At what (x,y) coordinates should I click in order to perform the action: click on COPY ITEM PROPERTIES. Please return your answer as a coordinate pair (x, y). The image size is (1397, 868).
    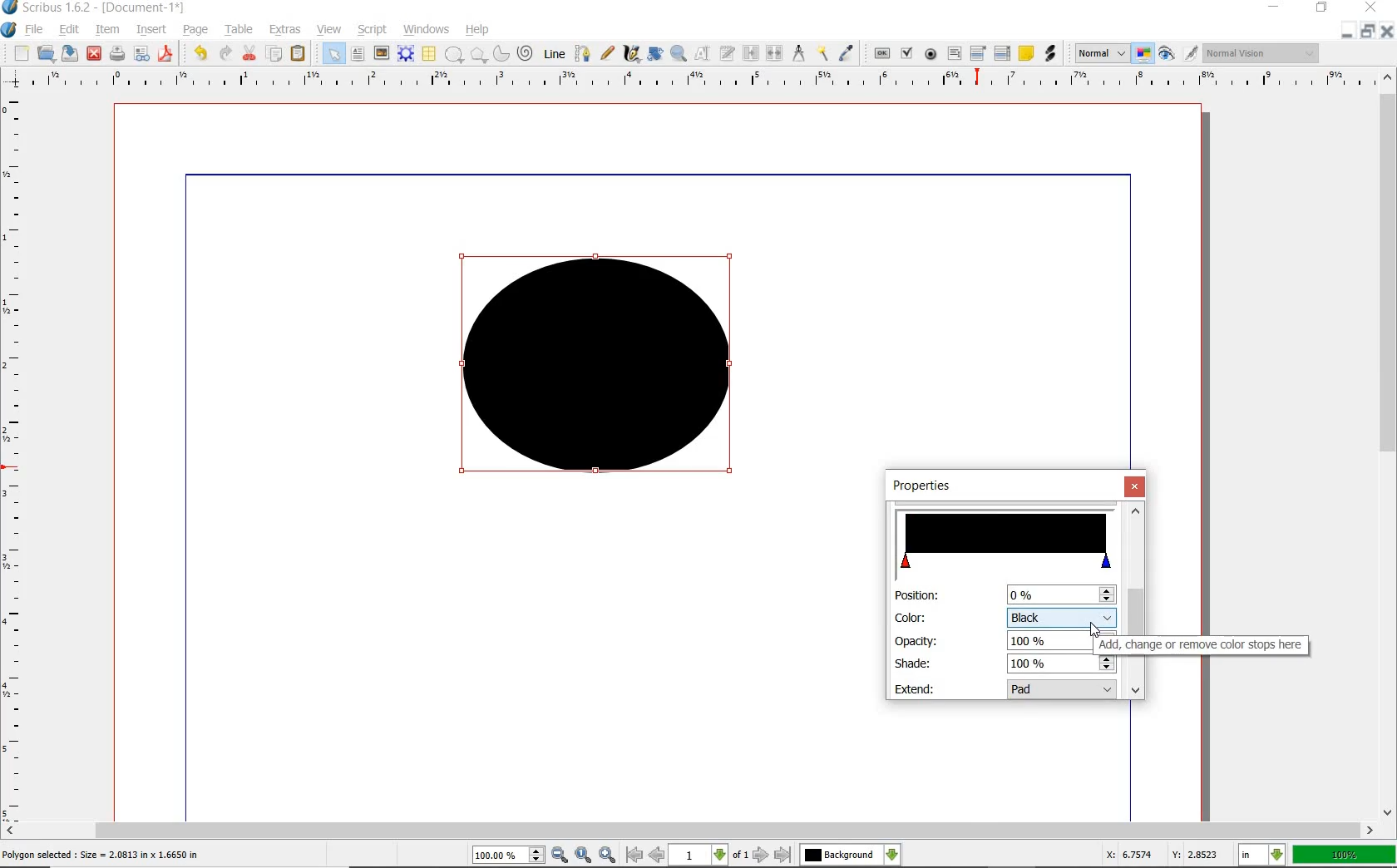
    Looking at the image, I should click on (822, 52).